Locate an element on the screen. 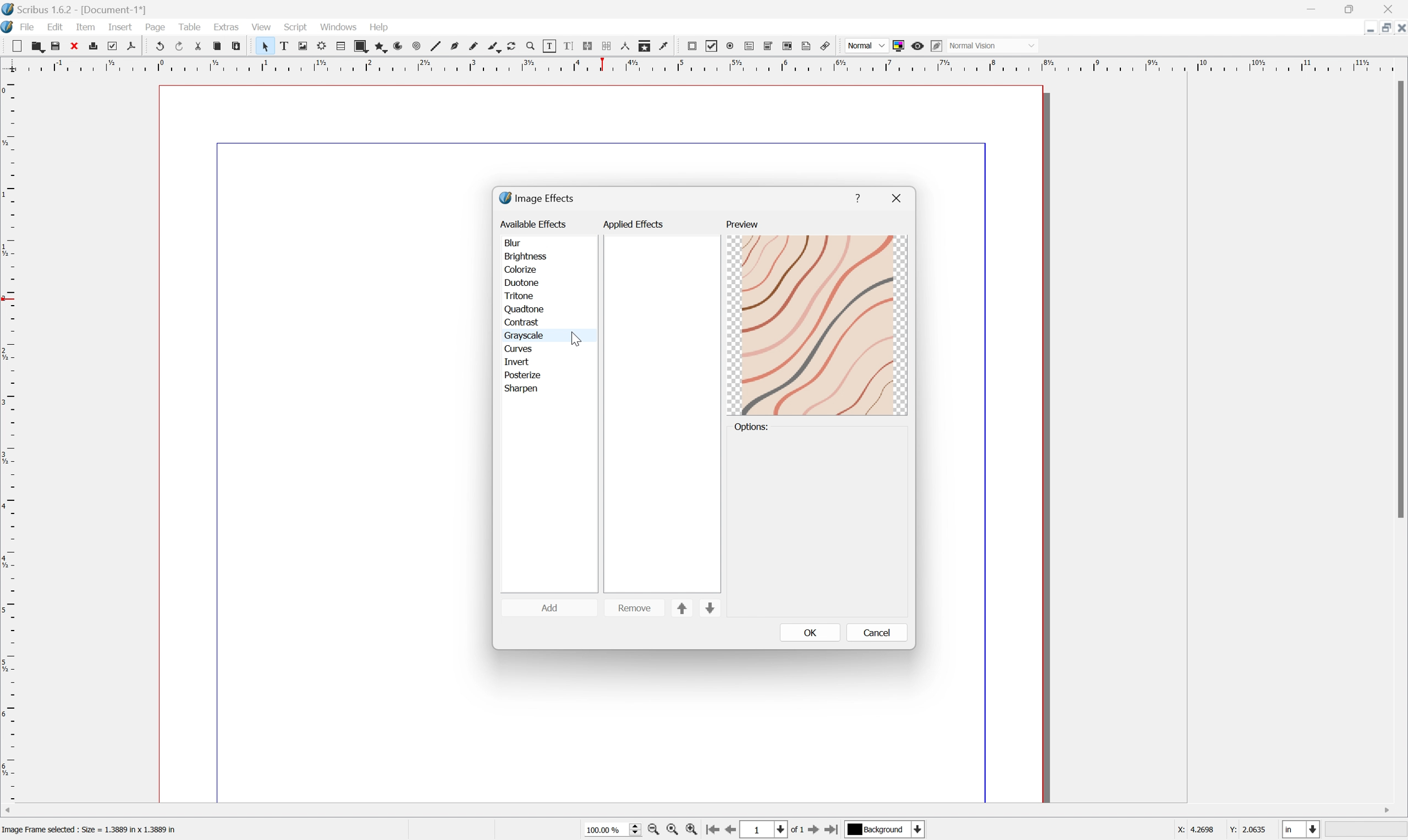  Unlink text frames is located at coordinates (610, 46).